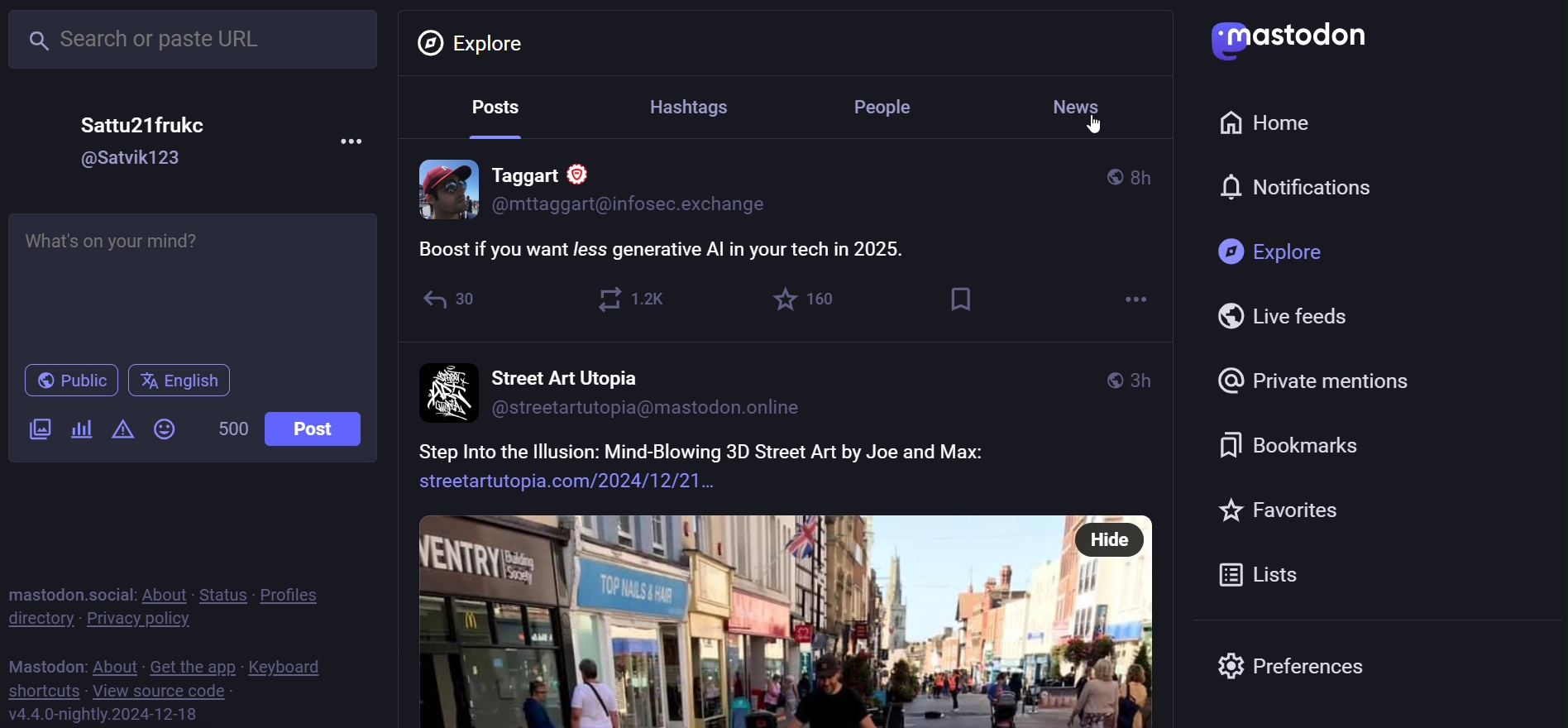 The width and height of the screenshot is (1568, 728). I want to click on emoji, so click(168, 429).